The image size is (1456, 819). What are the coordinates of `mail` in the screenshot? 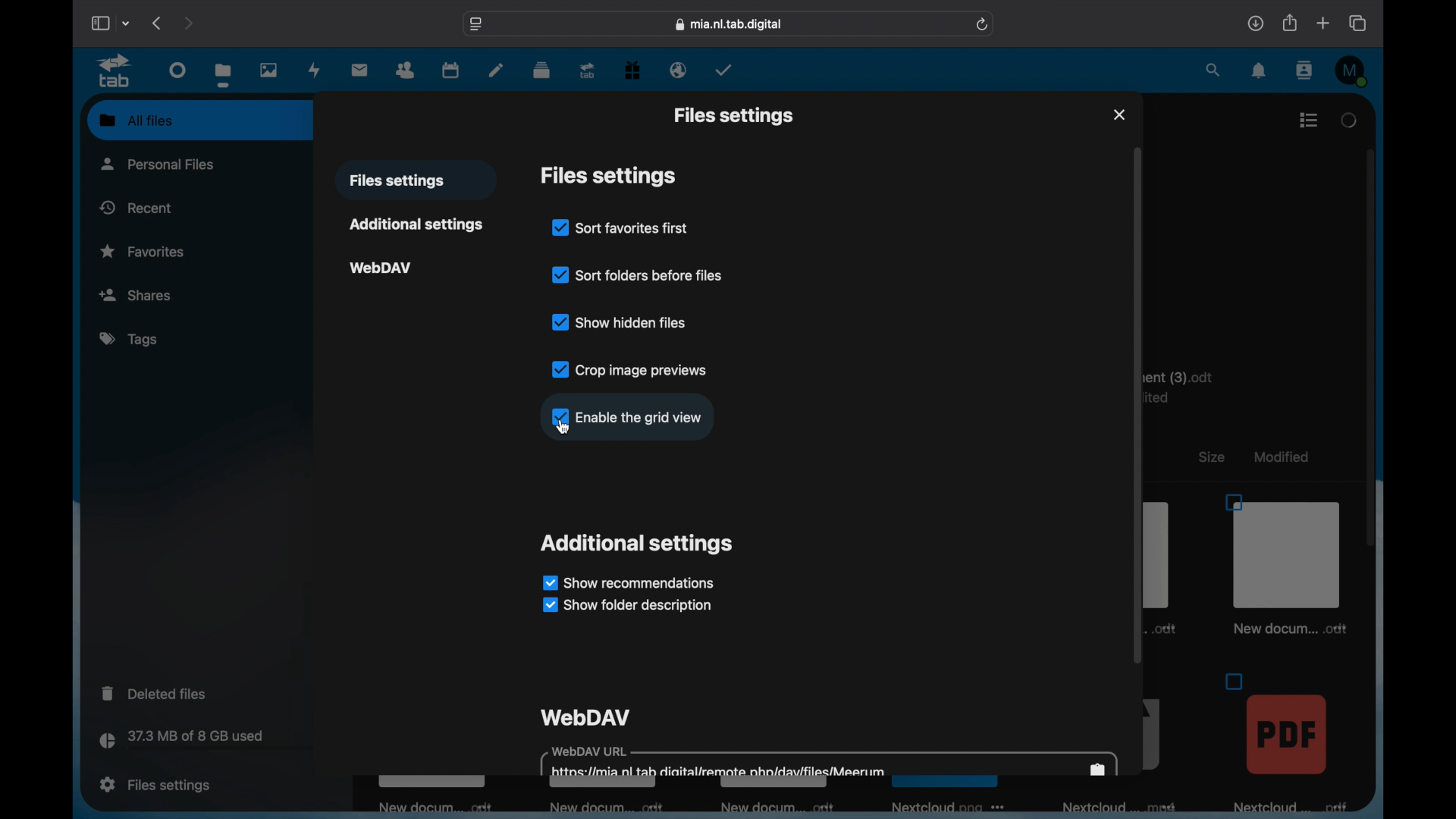 It's located at (360, 70).